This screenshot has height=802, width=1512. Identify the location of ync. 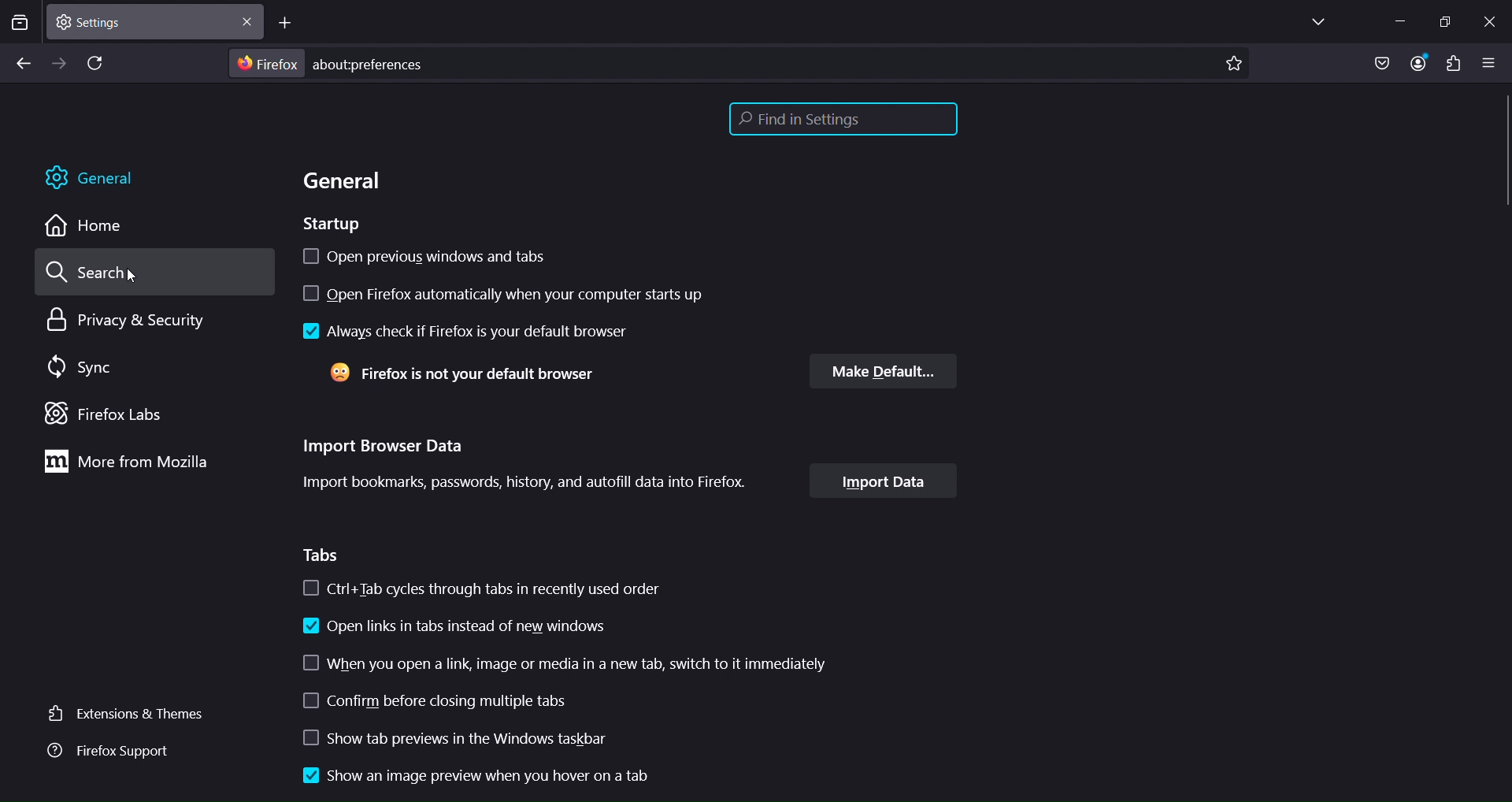
(84, 367).